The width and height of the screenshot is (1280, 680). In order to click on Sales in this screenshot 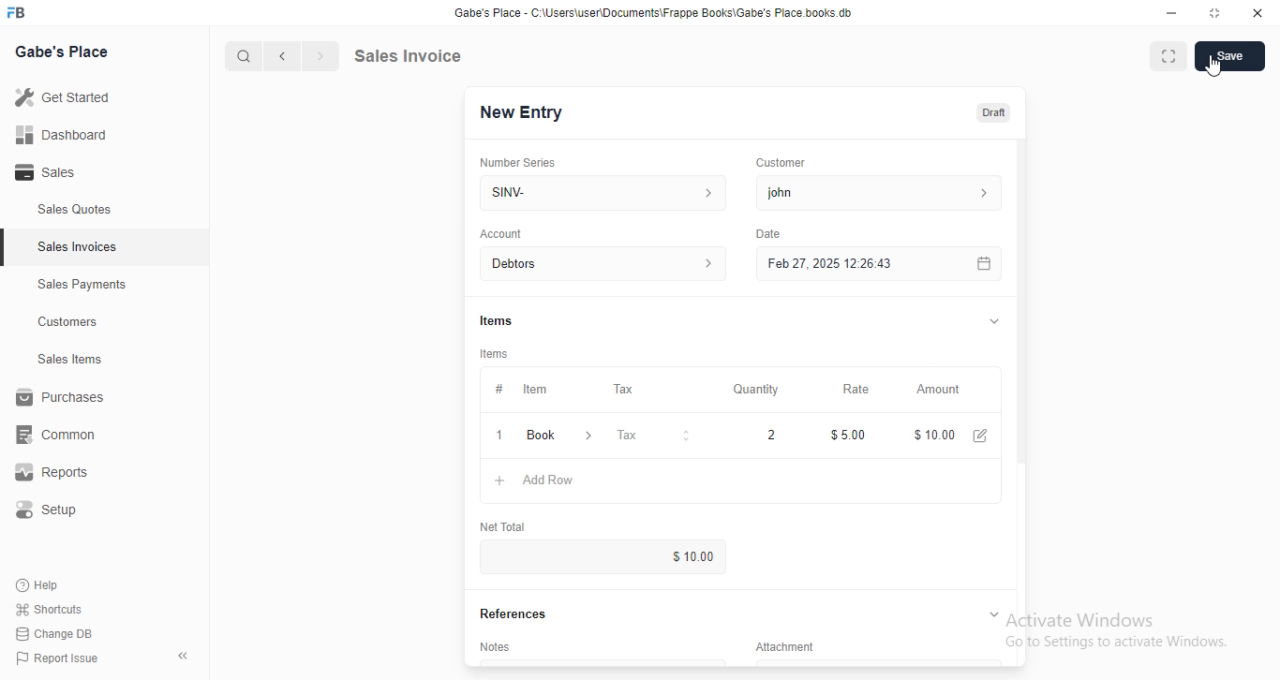, I will do `click(48, 171)`.